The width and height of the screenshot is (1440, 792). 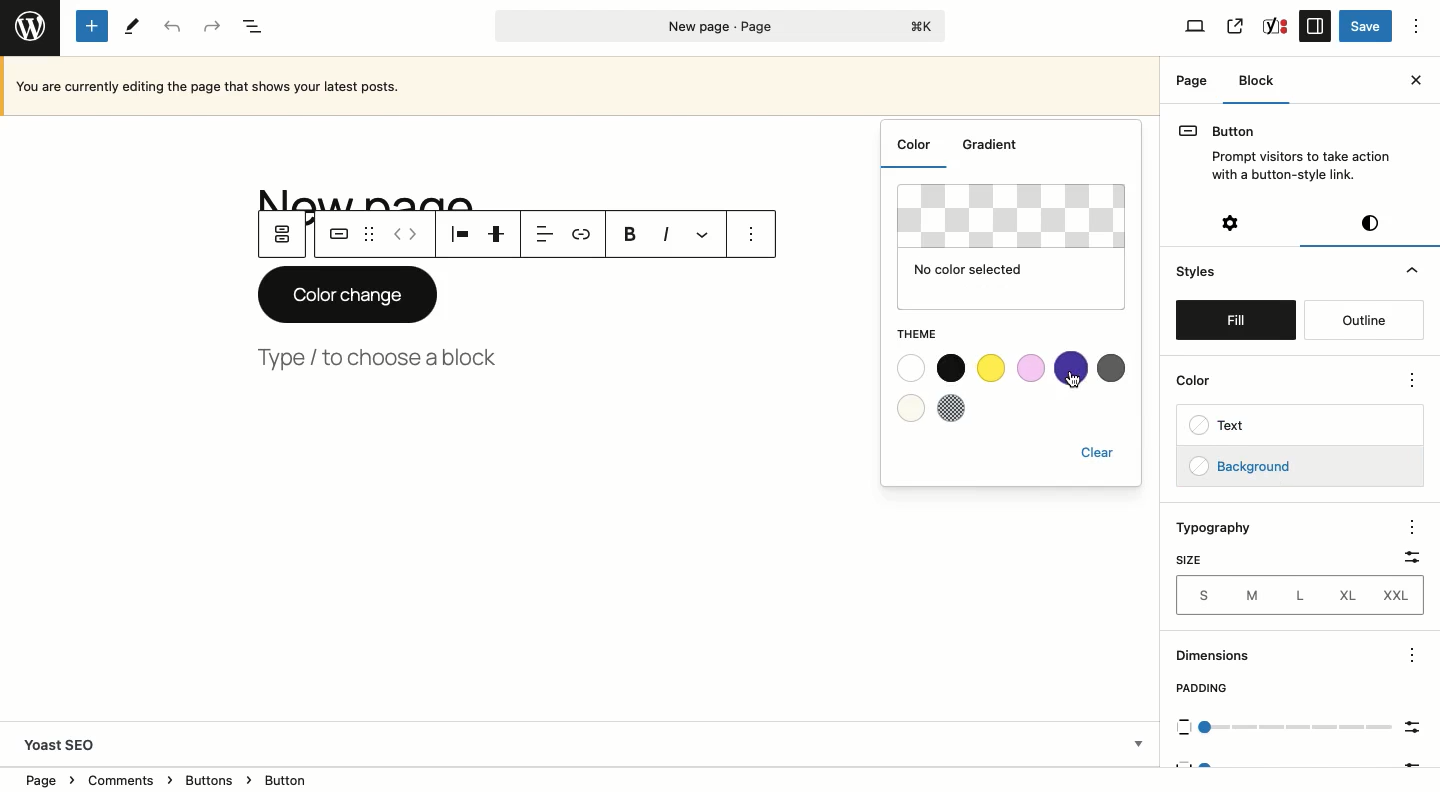 I want to click on Yellow, so click(x=992, y=367).